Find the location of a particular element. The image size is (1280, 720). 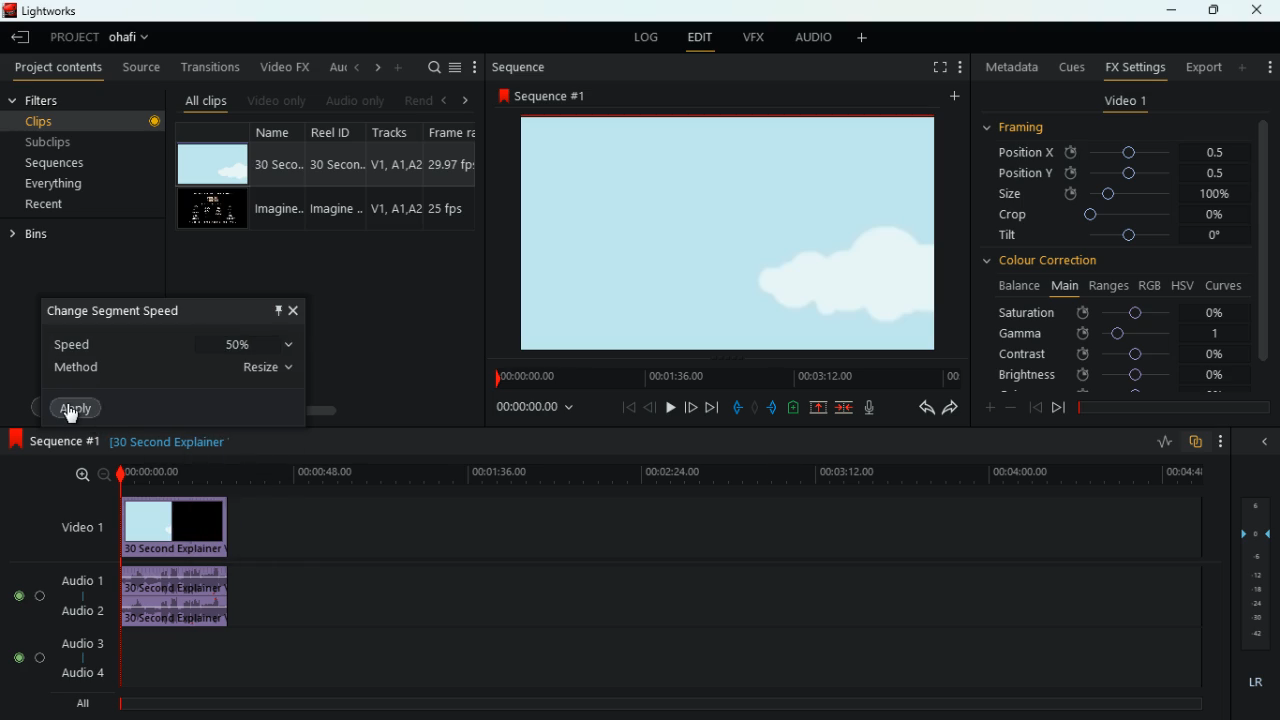

more is located at coordinates (1244, 67).